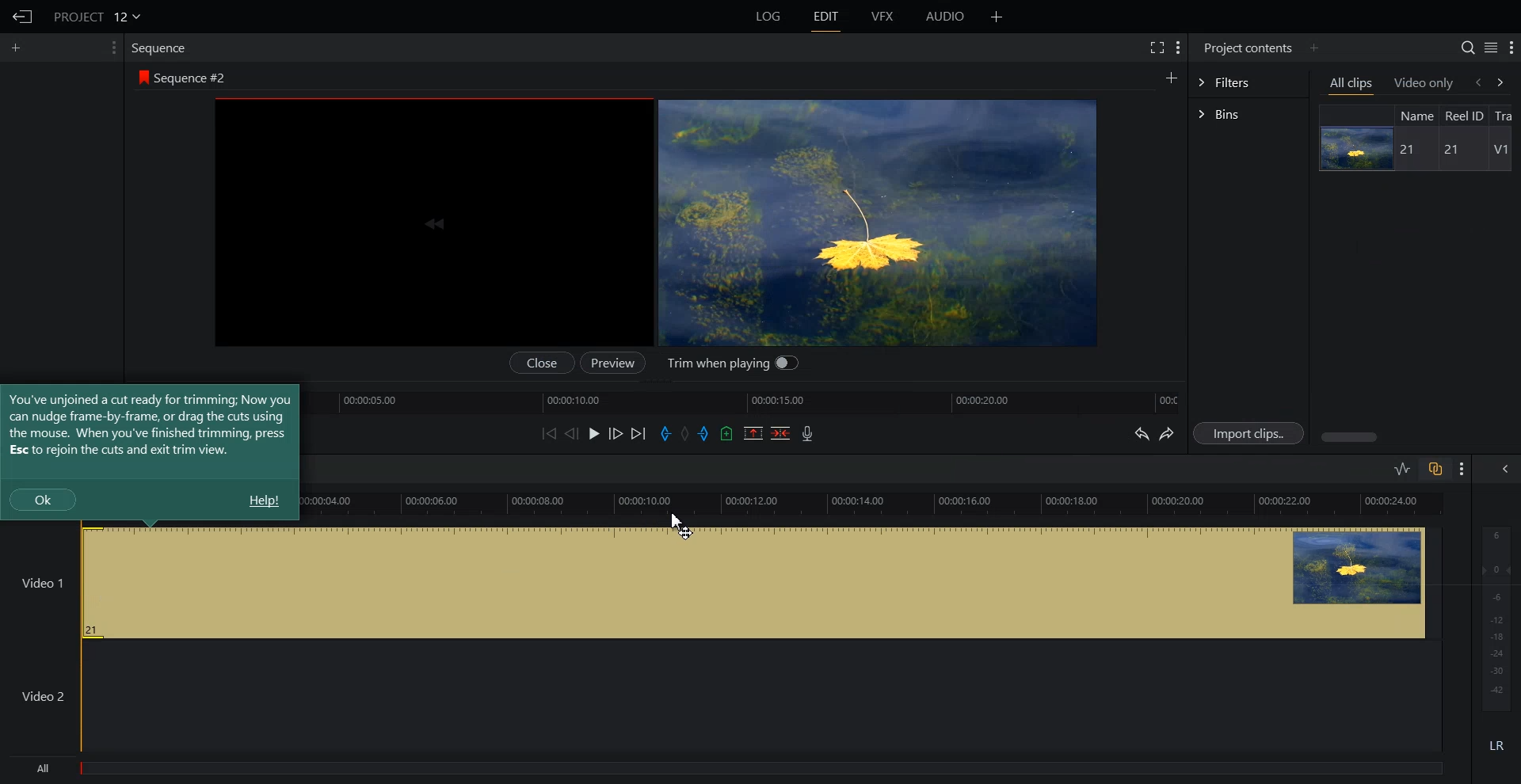 The image size is (1521, 784). Describe the element at coordinates (1156, 47) in the screenshot. I see `Full screen` at that location.